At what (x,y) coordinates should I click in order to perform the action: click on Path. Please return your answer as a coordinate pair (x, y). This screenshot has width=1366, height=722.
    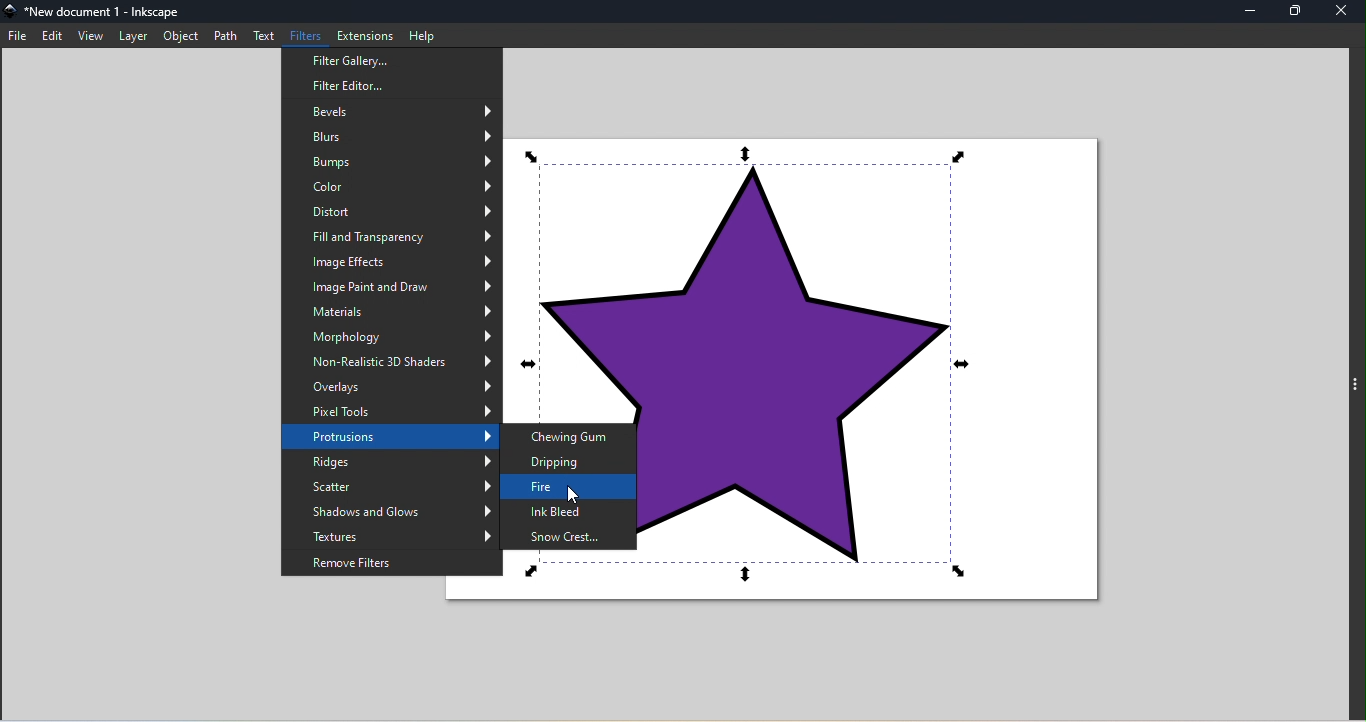
    Looking at the image, I should click on (225, 35).